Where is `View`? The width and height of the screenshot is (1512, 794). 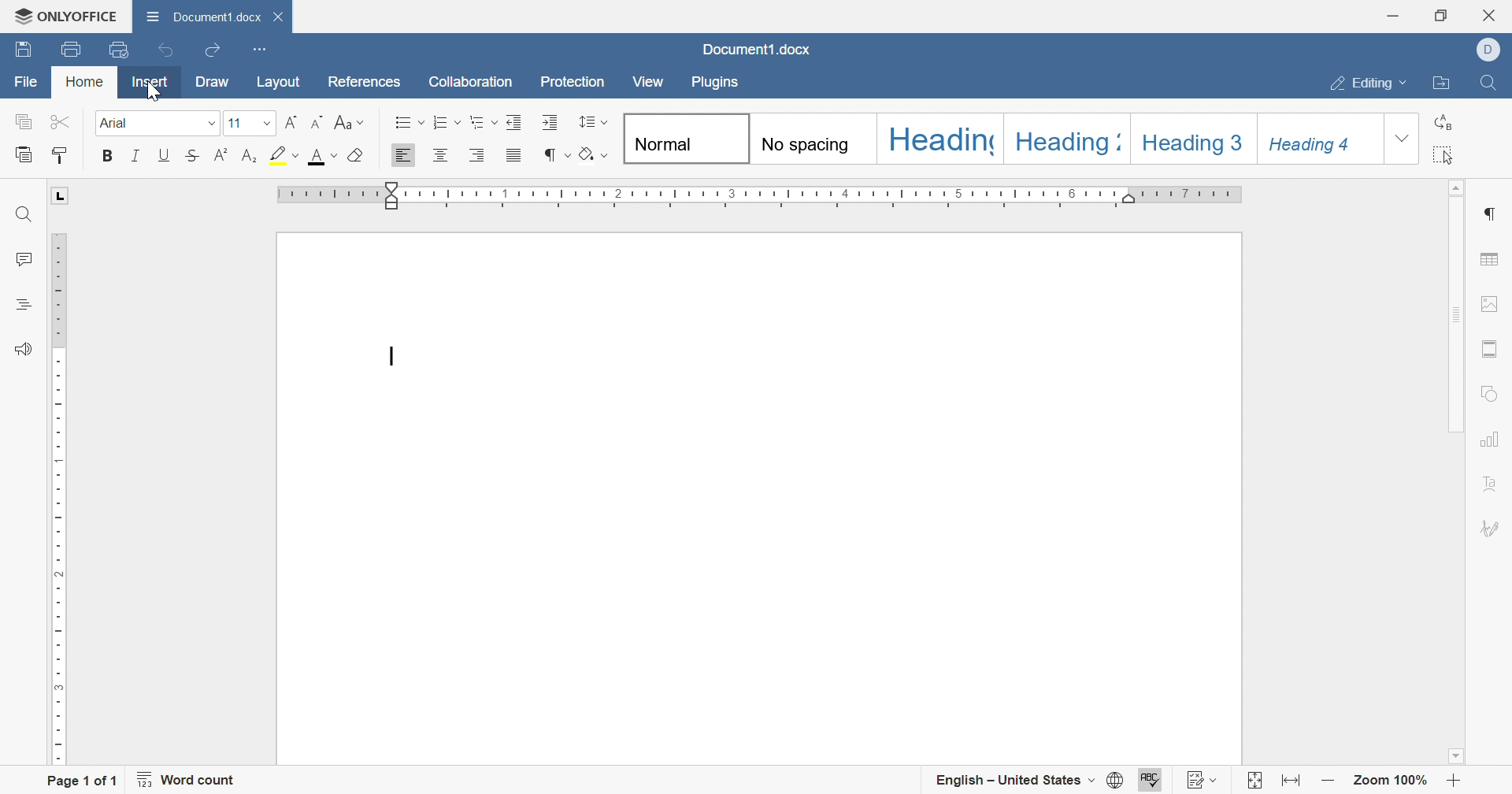
View is located at coordinates (647, 83).